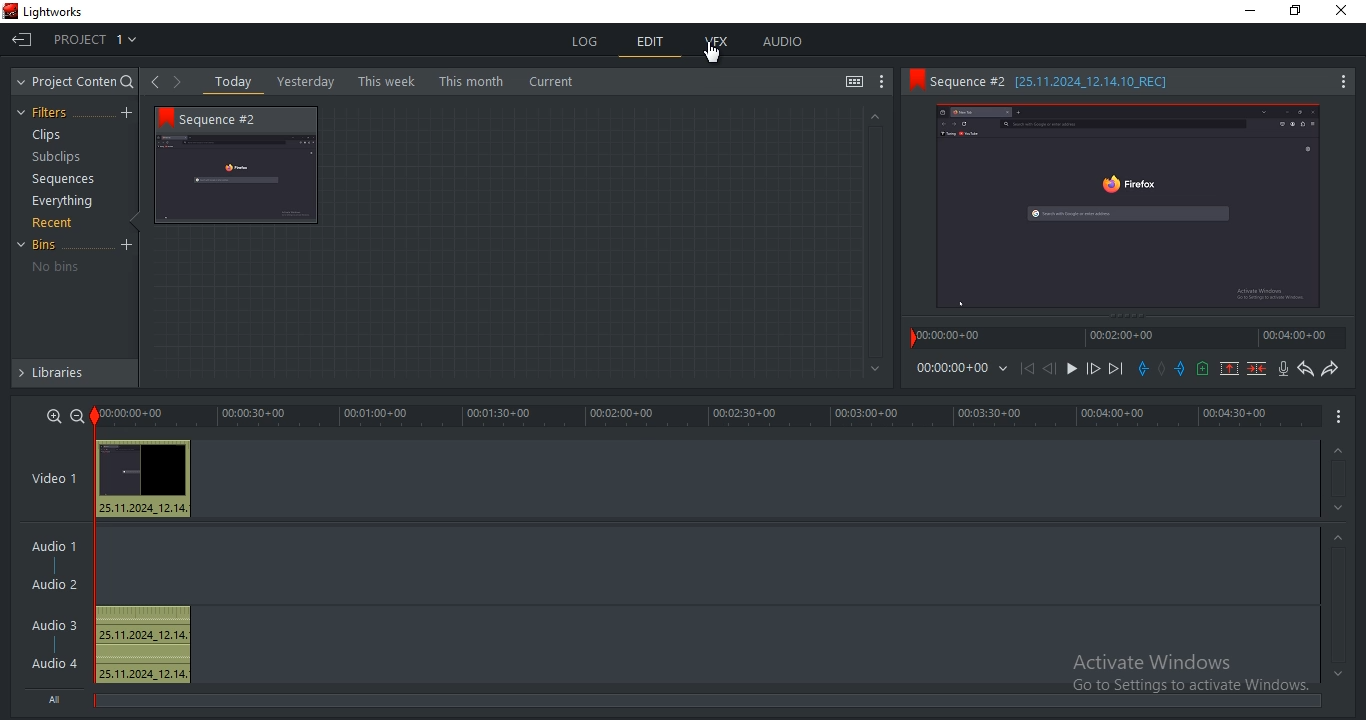  What do you see at coordinates (146, 469) in the screenshot?
I see `Video clip thumbnail` at bounding box center [146, 469].